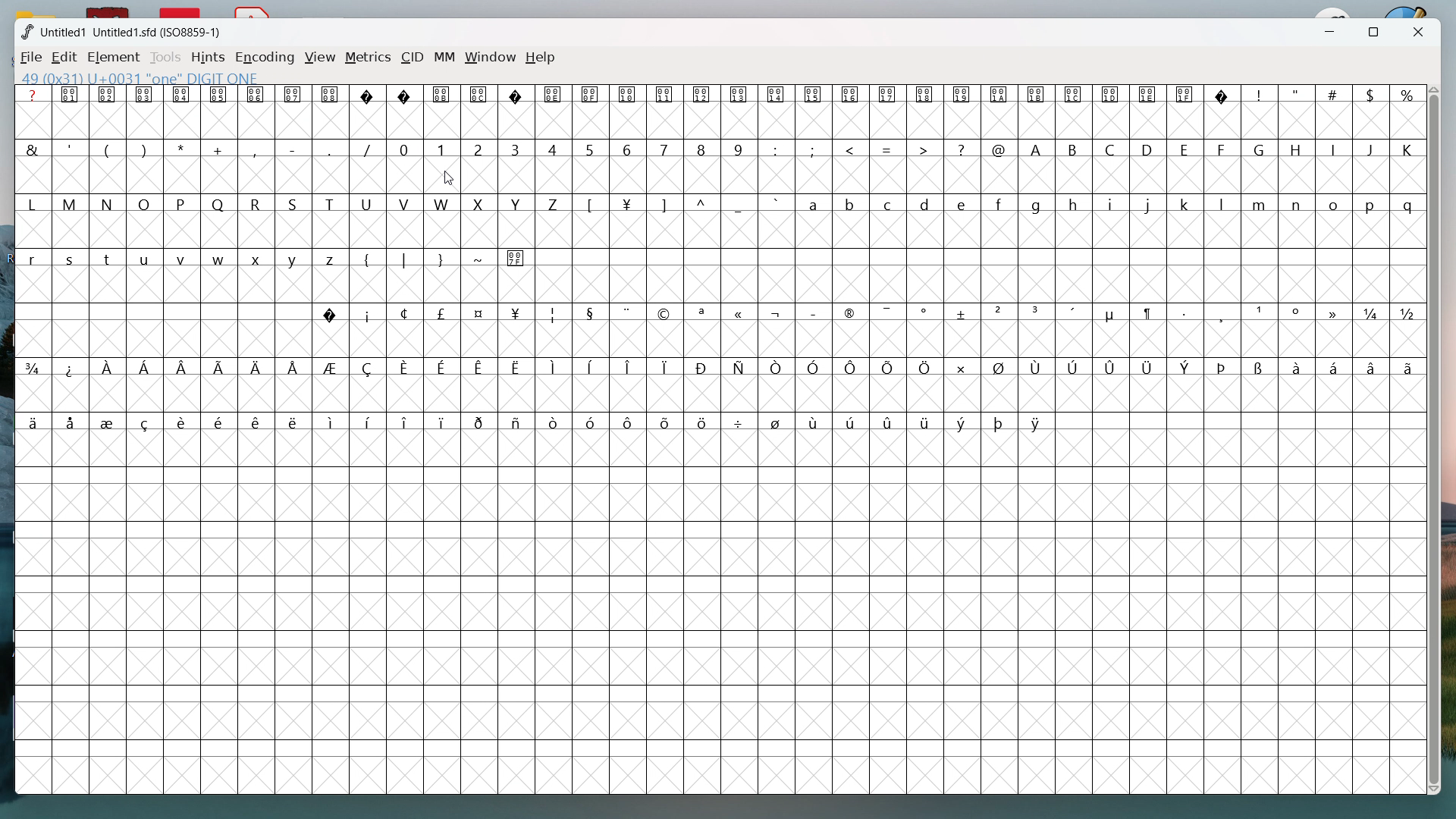  Describe the element at coordinates (1429, 789) in the screenshot. I see `scroll down` at that location.